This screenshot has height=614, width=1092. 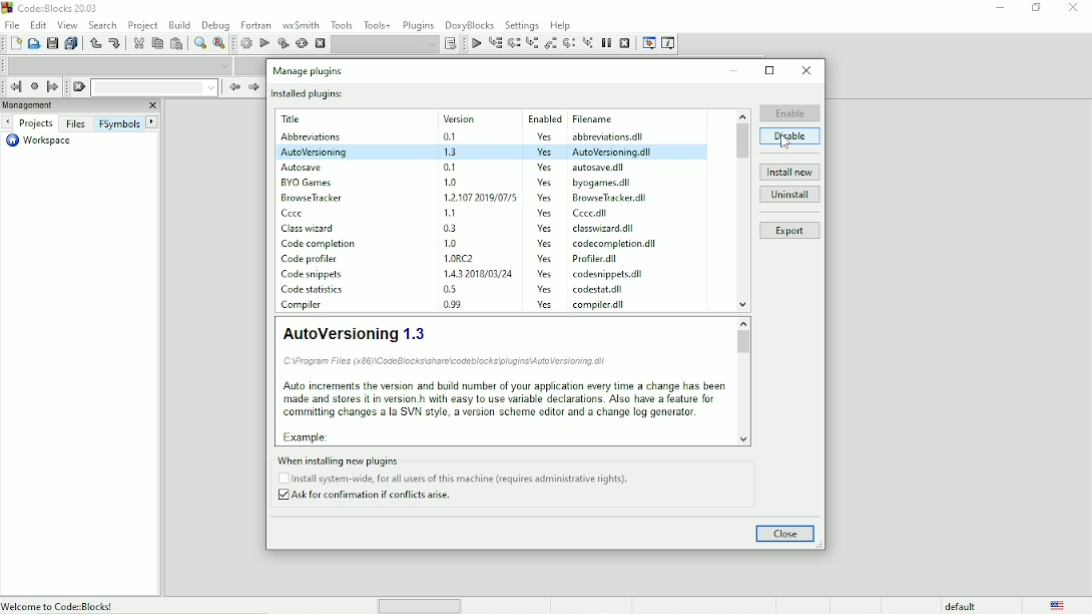 What do you see at coordinates (450, 181) in the screenshot?
I see `1.0` at bounding box center [450, 181].